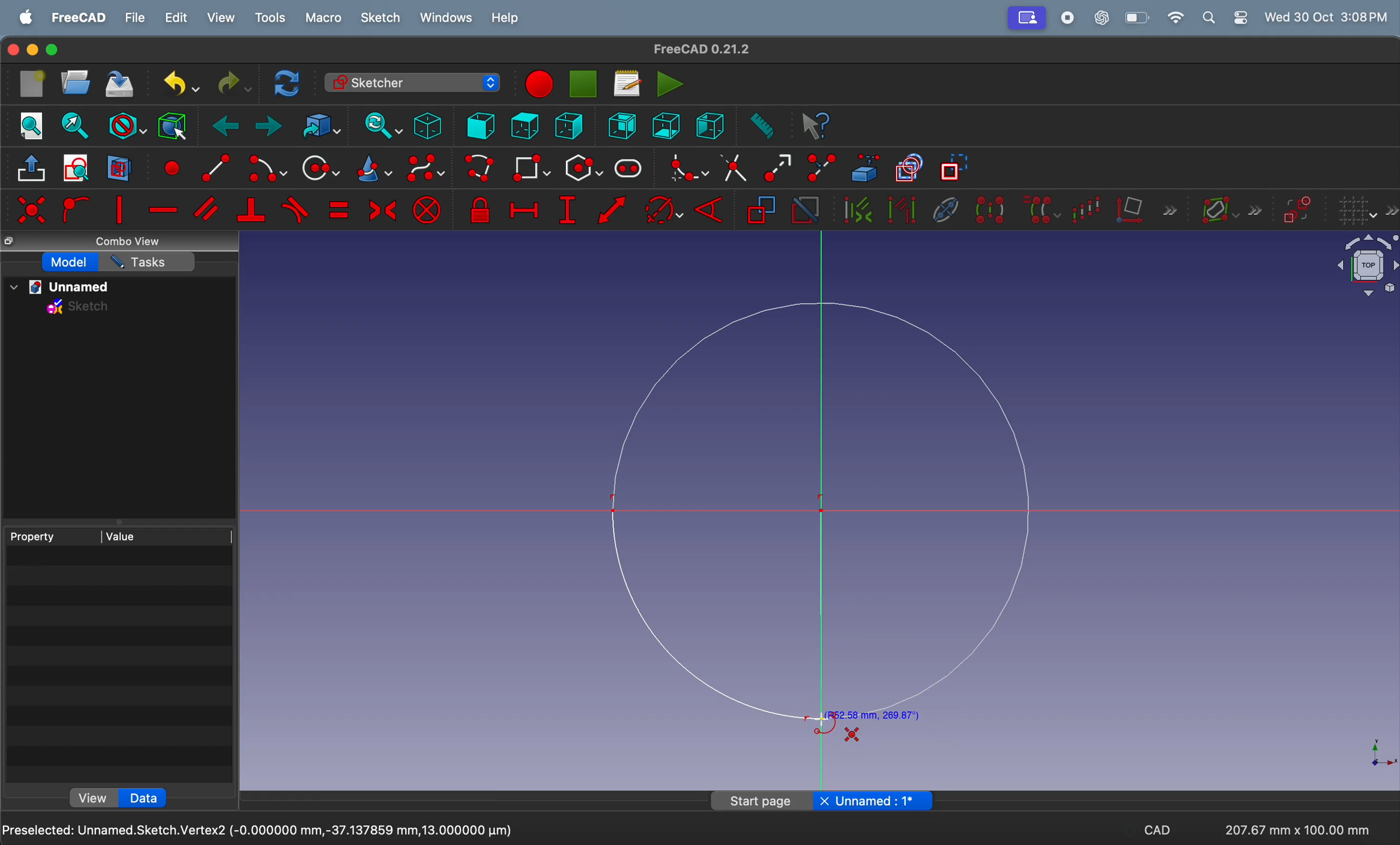  Describe the element at coordinates (31, 210) in the screenshot. I see `constrain co incident` at that location.